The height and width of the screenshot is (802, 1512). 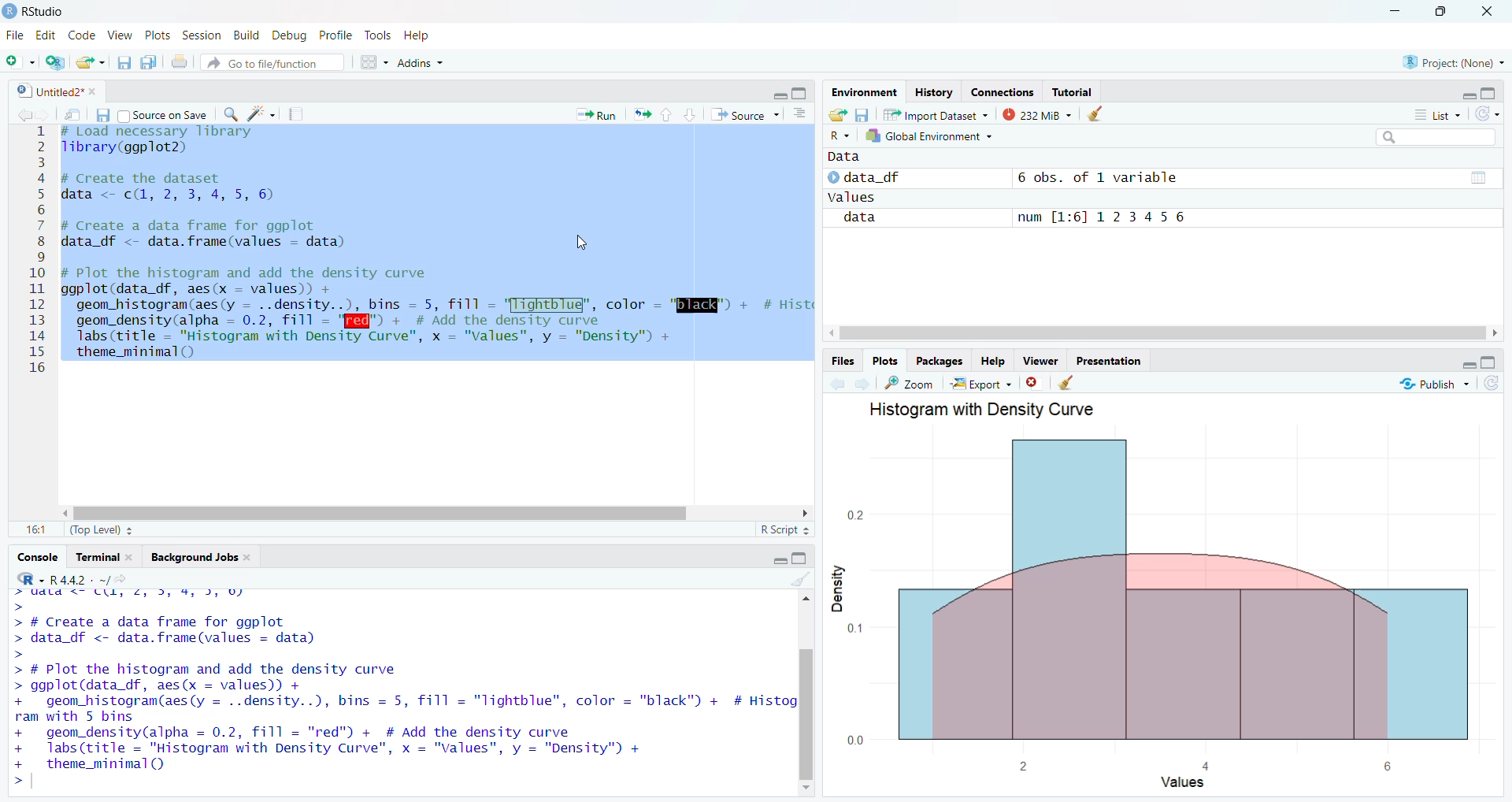 What do you see at coordinates (36, 249) in the screenshot?
I see `line number` at bounding box center [36, 249].